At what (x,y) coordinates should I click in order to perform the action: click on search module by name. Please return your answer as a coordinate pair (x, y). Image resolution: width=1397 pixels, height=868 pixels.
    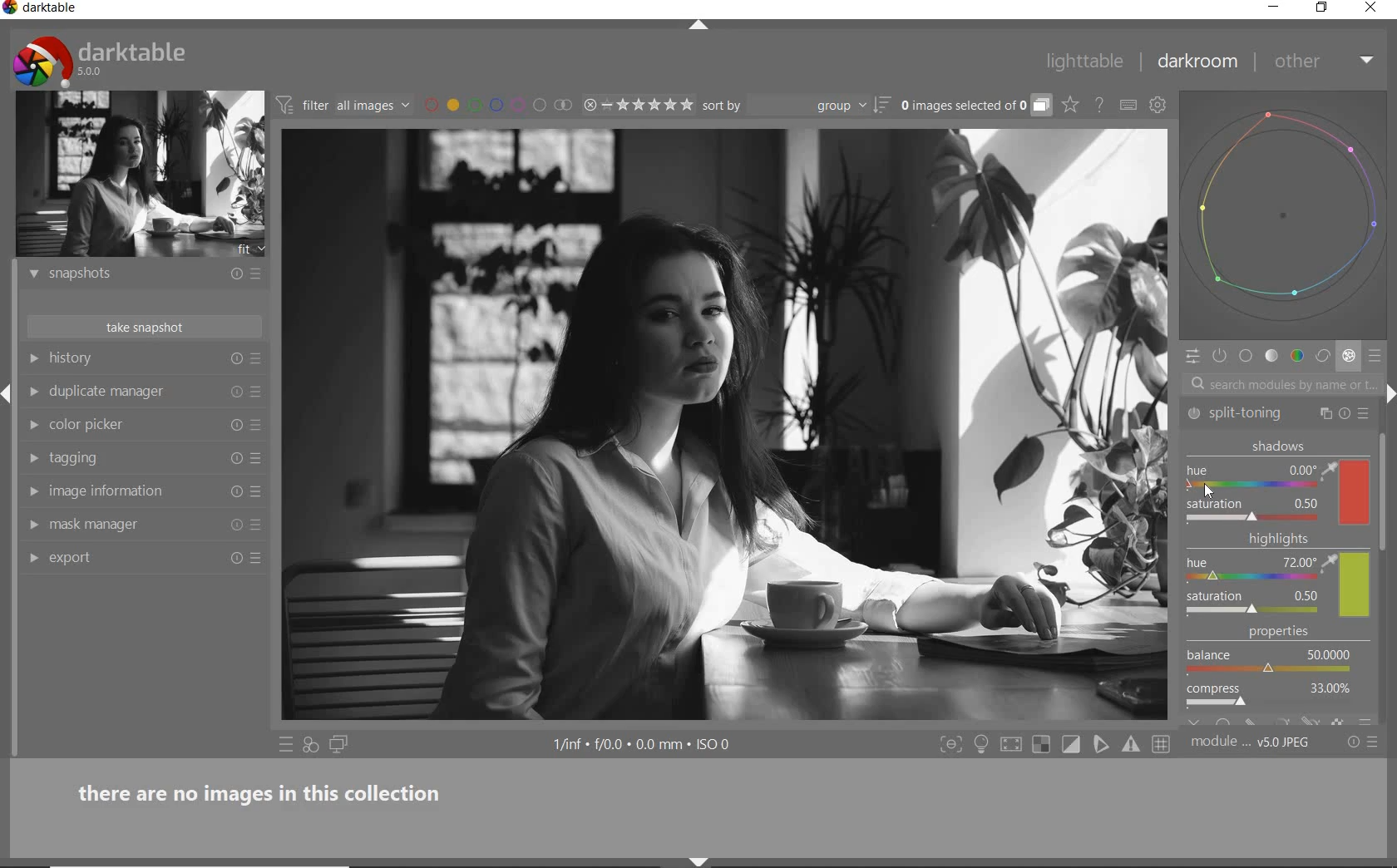
    Looking at the image, I should click on (1280, 383).